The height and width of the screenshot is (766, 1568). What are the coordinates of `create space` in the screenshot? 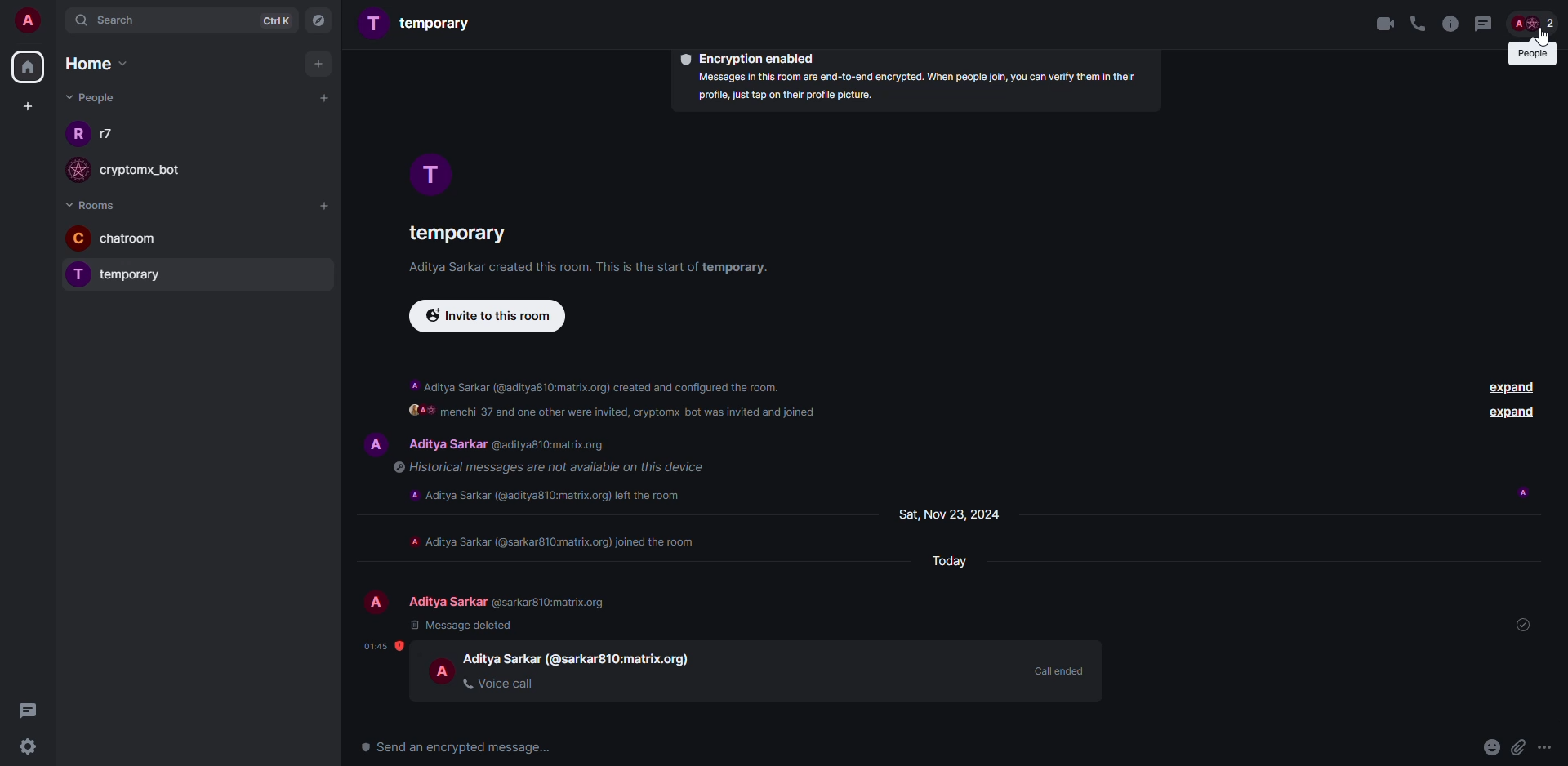 It's located at (28, 105).